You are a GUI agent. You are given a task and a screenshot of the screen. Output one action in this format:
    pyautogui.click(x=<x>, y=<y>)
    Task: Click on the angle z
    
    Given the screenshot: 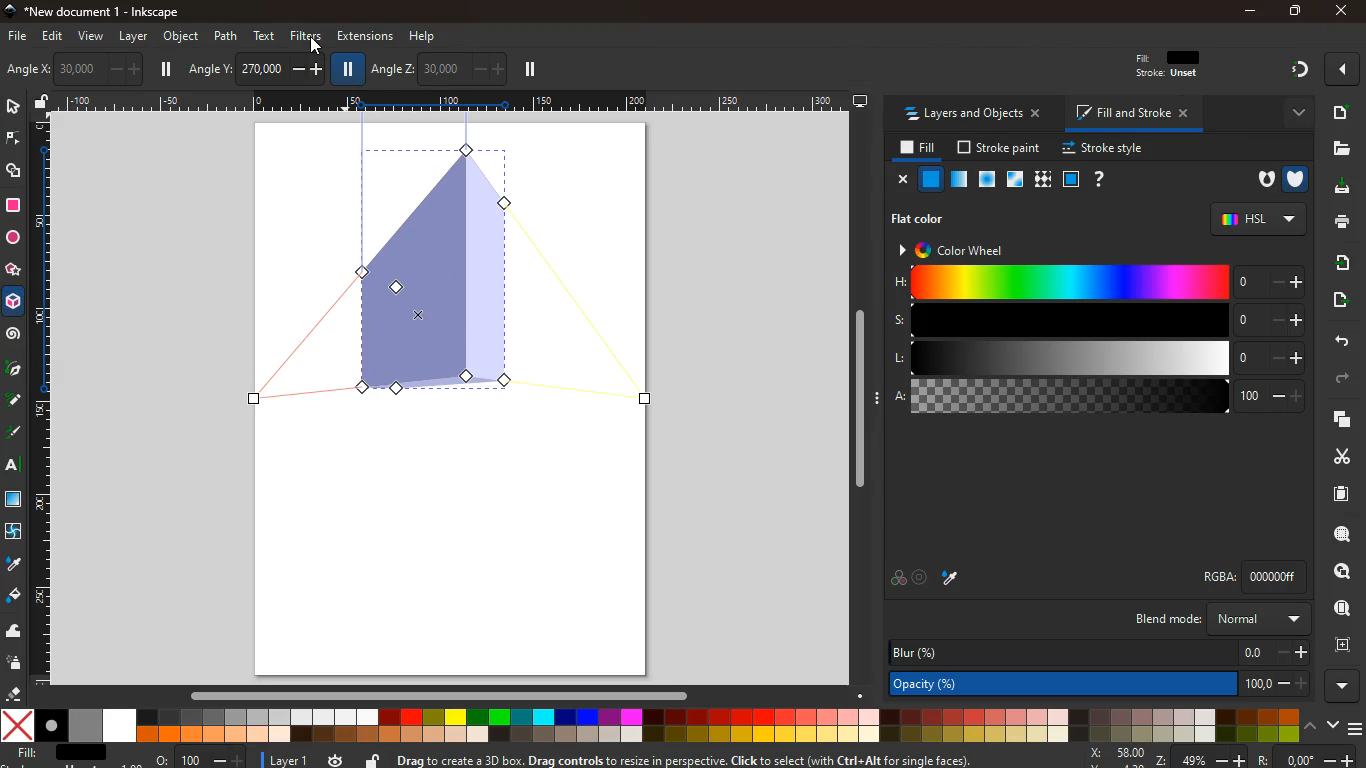 What is the action you would take?
    pyautogui.click(x=437, y=68)
    